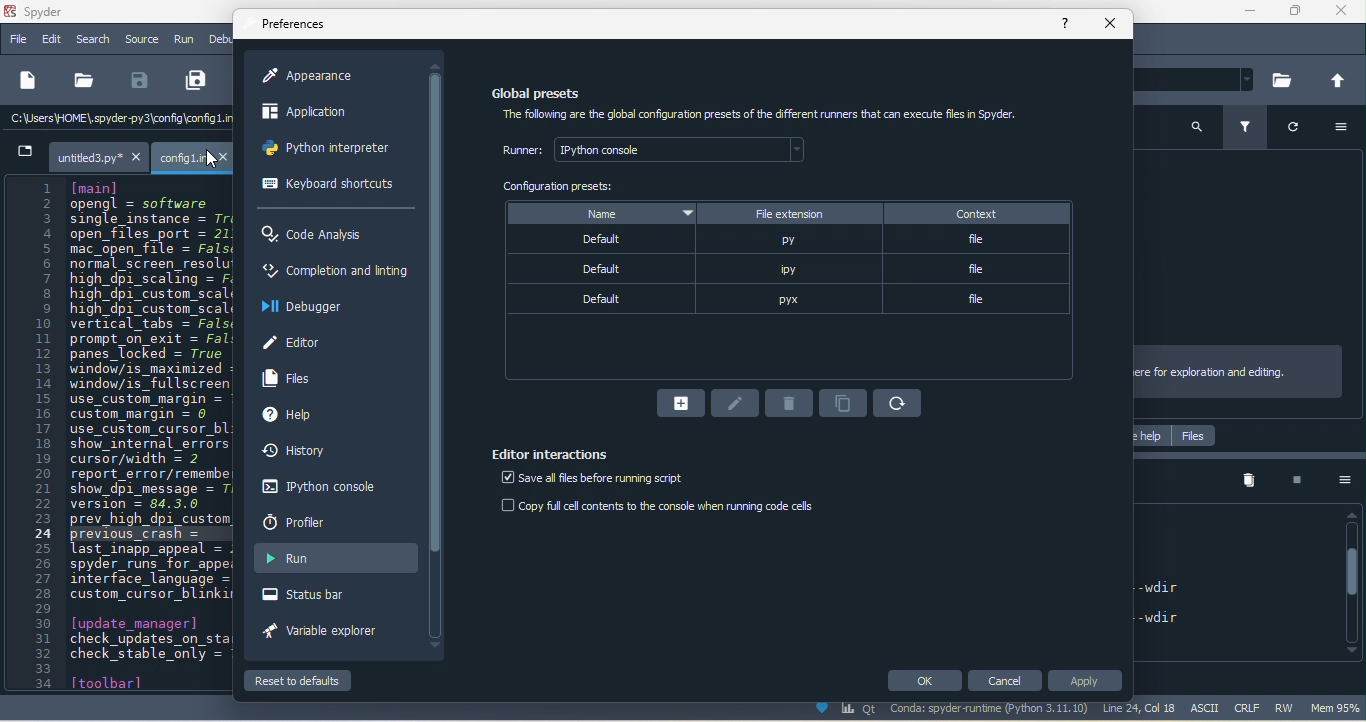 This screenshot has width=1366, height=722. What do you see at coordinates (785, 271) in the screenshot?
I see `ipy` at bounding box center [785, 271].